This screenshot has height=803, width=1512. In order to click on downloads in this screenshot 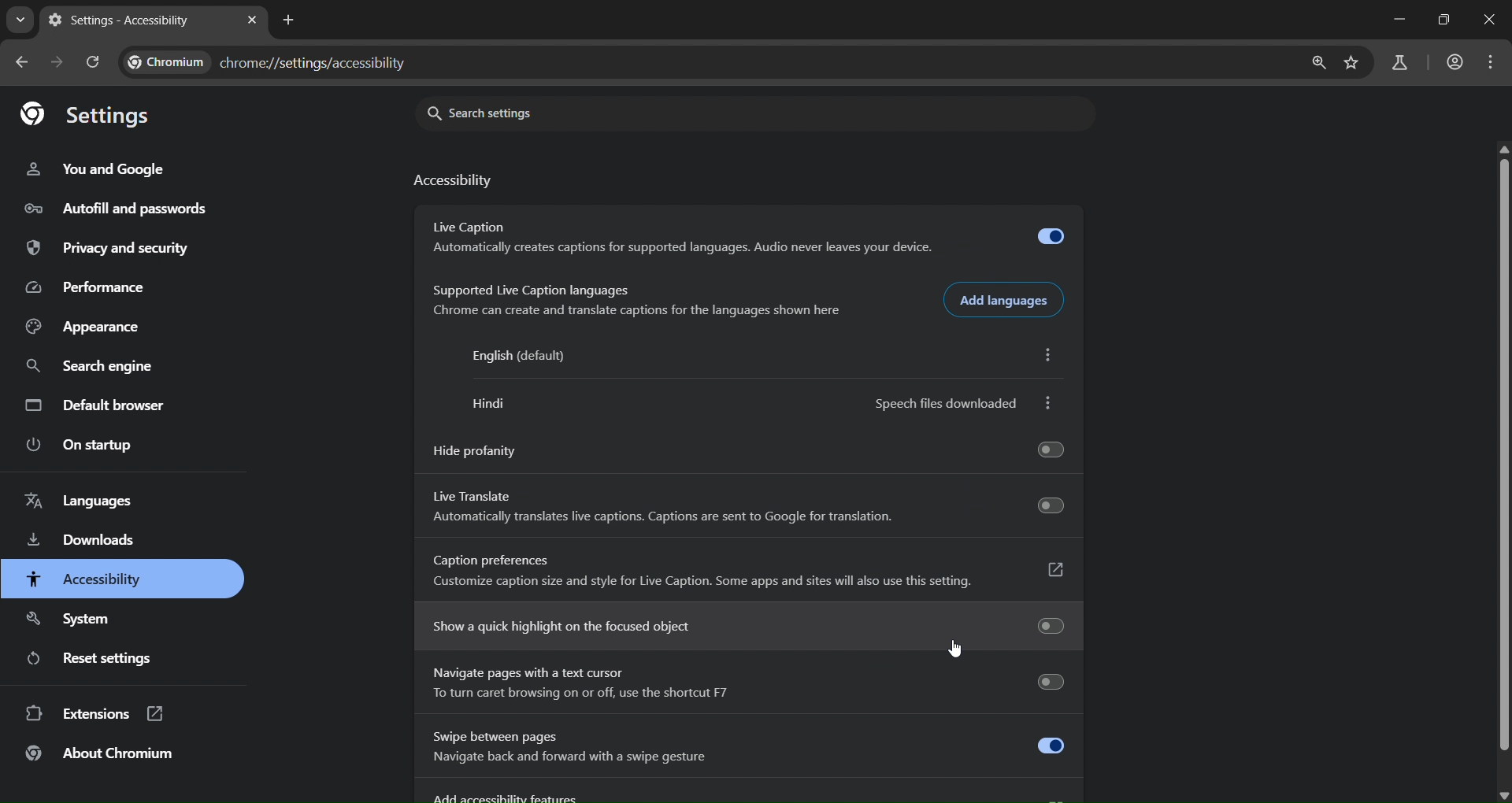, I will do `click(83, 542)`.